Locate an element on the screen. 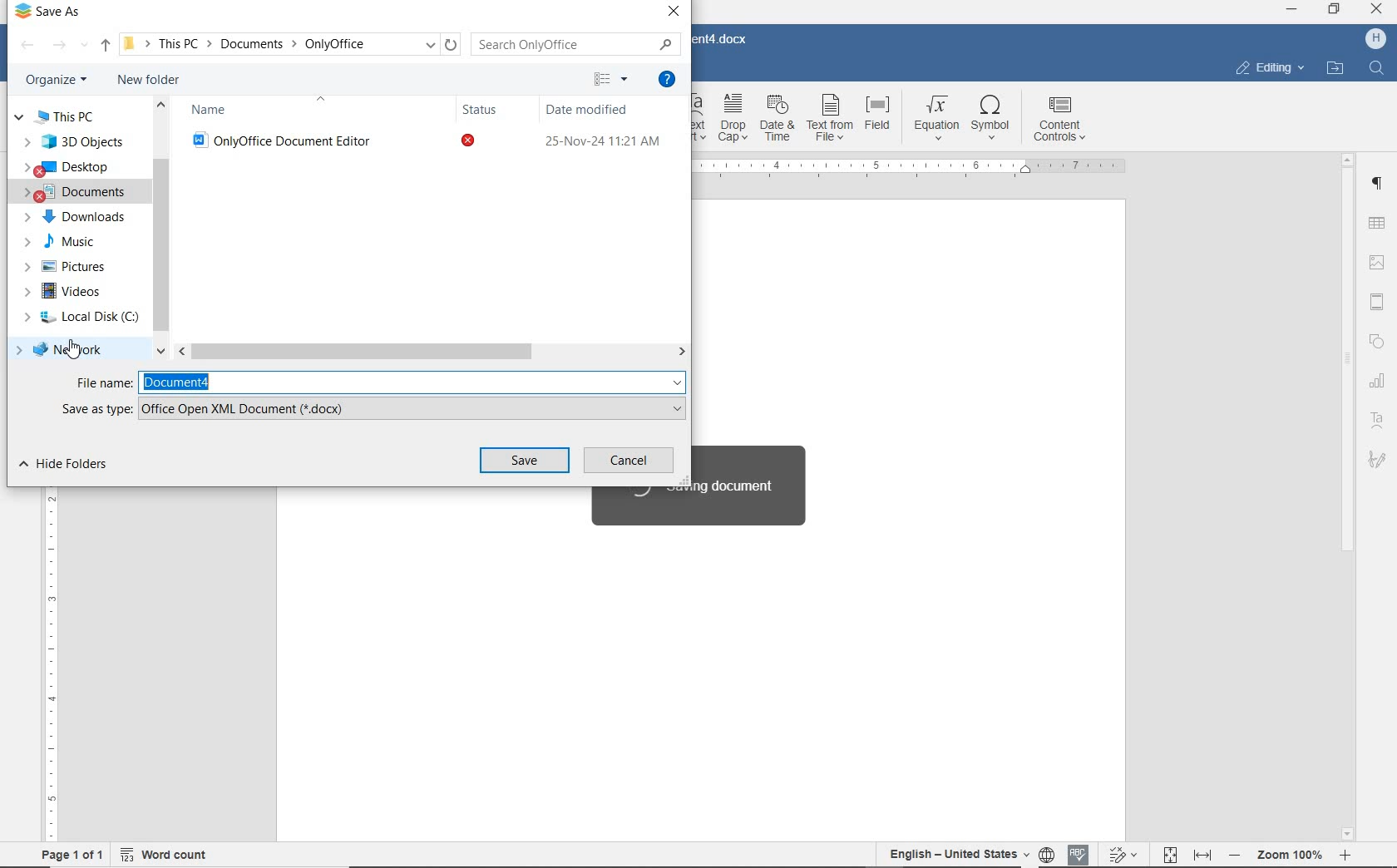 Image resolution: width=1397 pixels, height=868 pixels. Header and Footer is located at coordinates (1380, 306).